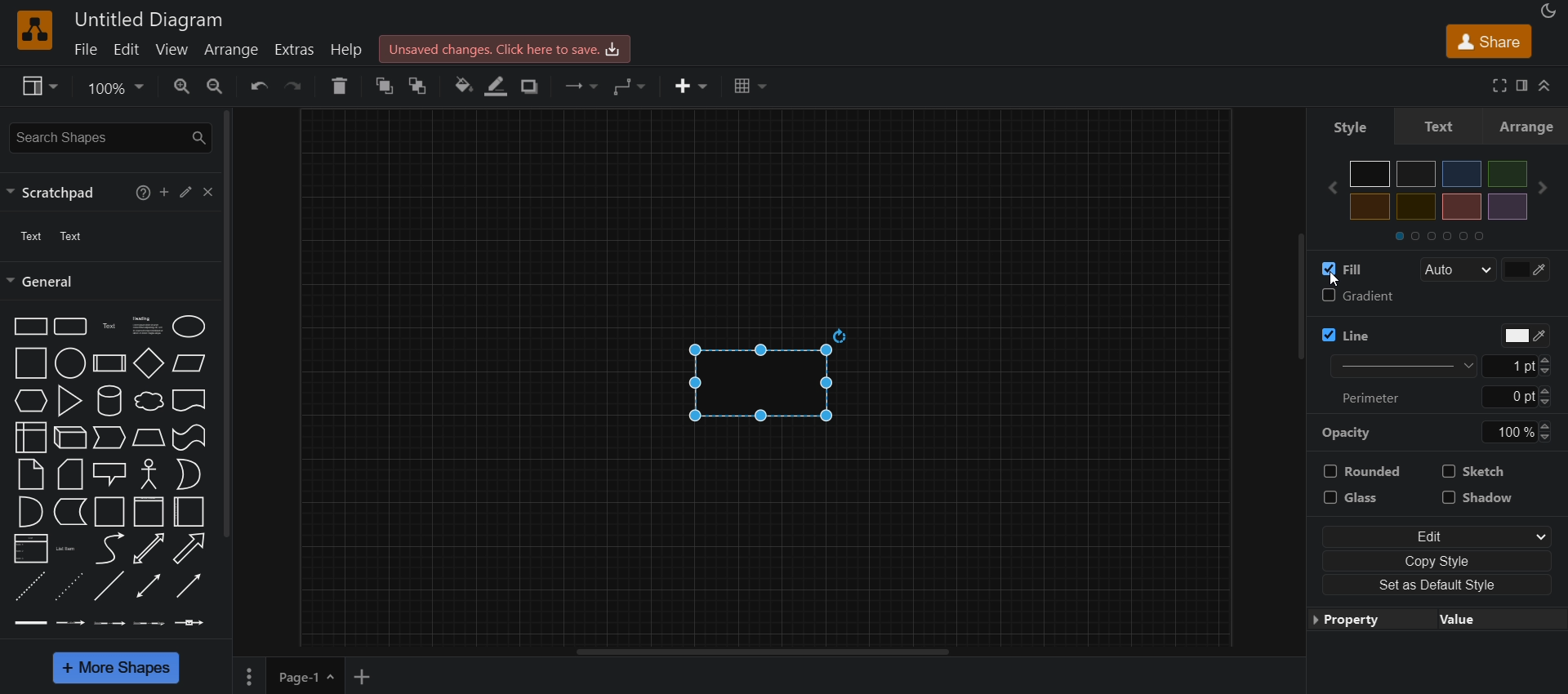 The height and width of the screenshot is (694, 1568). Describe the element at coordinates (70, 514) in the screenshot. I see `data storage` at that location.